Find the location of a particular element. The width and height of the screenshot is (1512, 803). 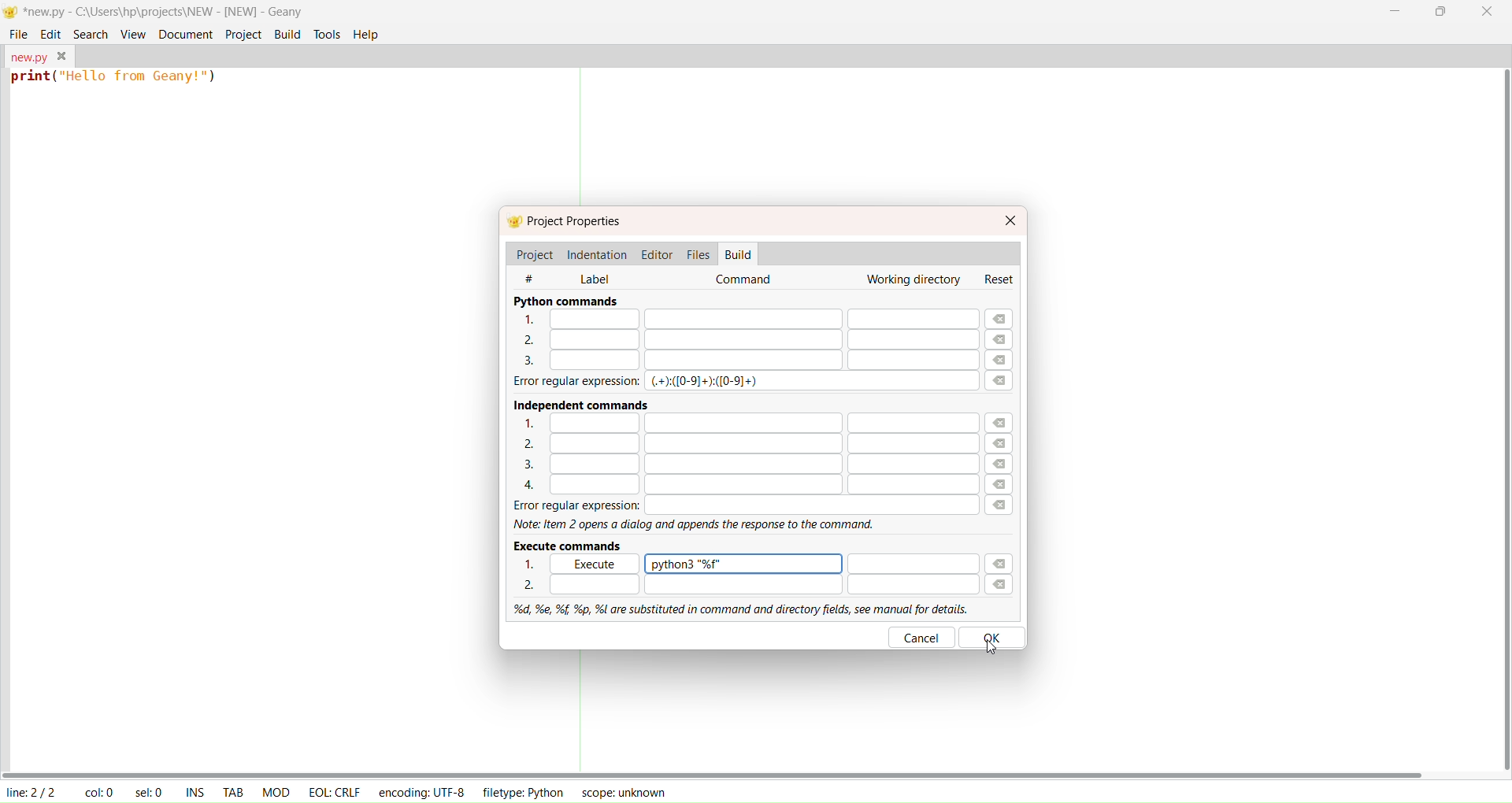

encoding: UTF -8 is located at coordinates (422, 791).